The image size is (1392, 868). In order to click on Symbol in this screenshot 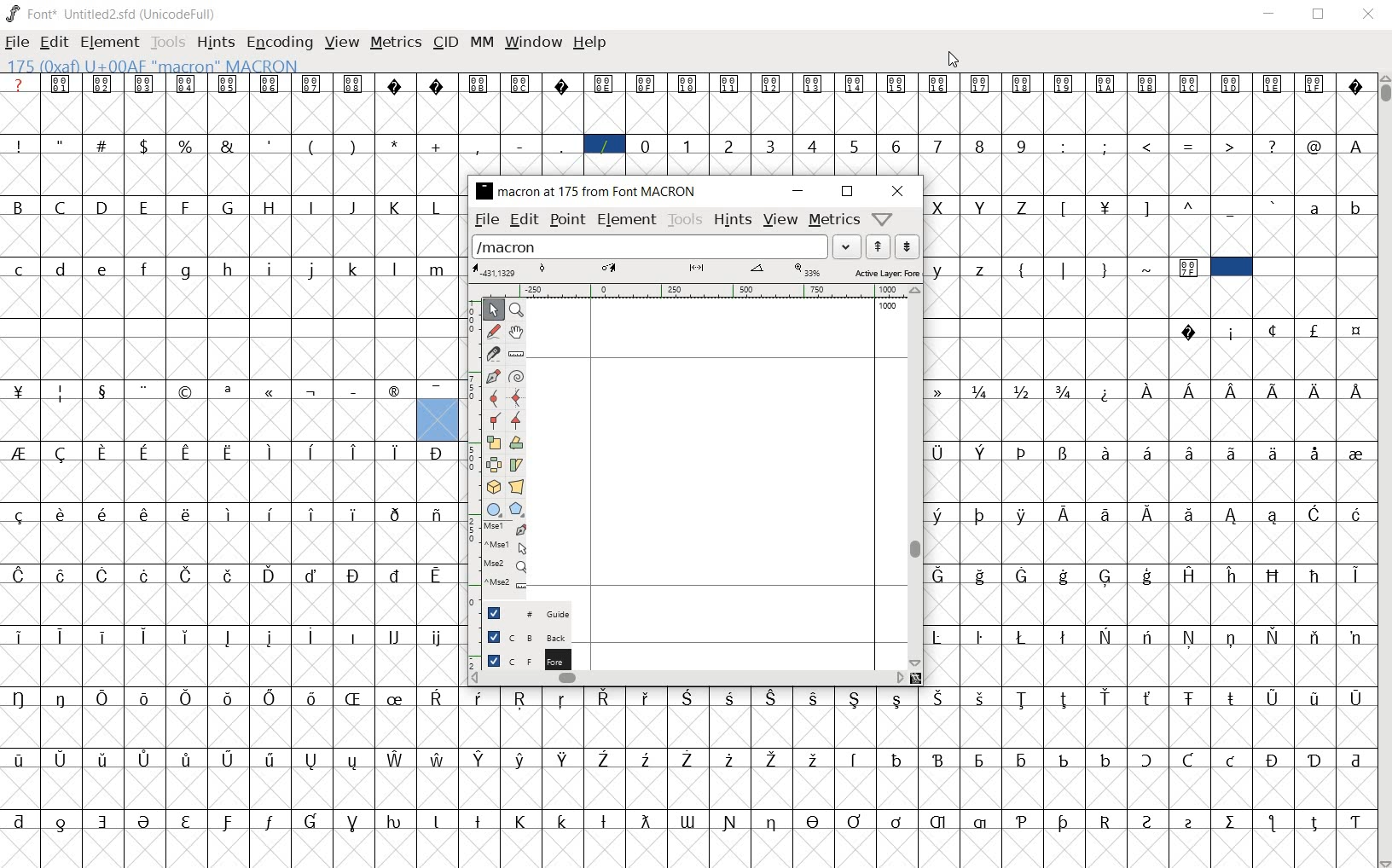, I will do `click(64, 698)`.